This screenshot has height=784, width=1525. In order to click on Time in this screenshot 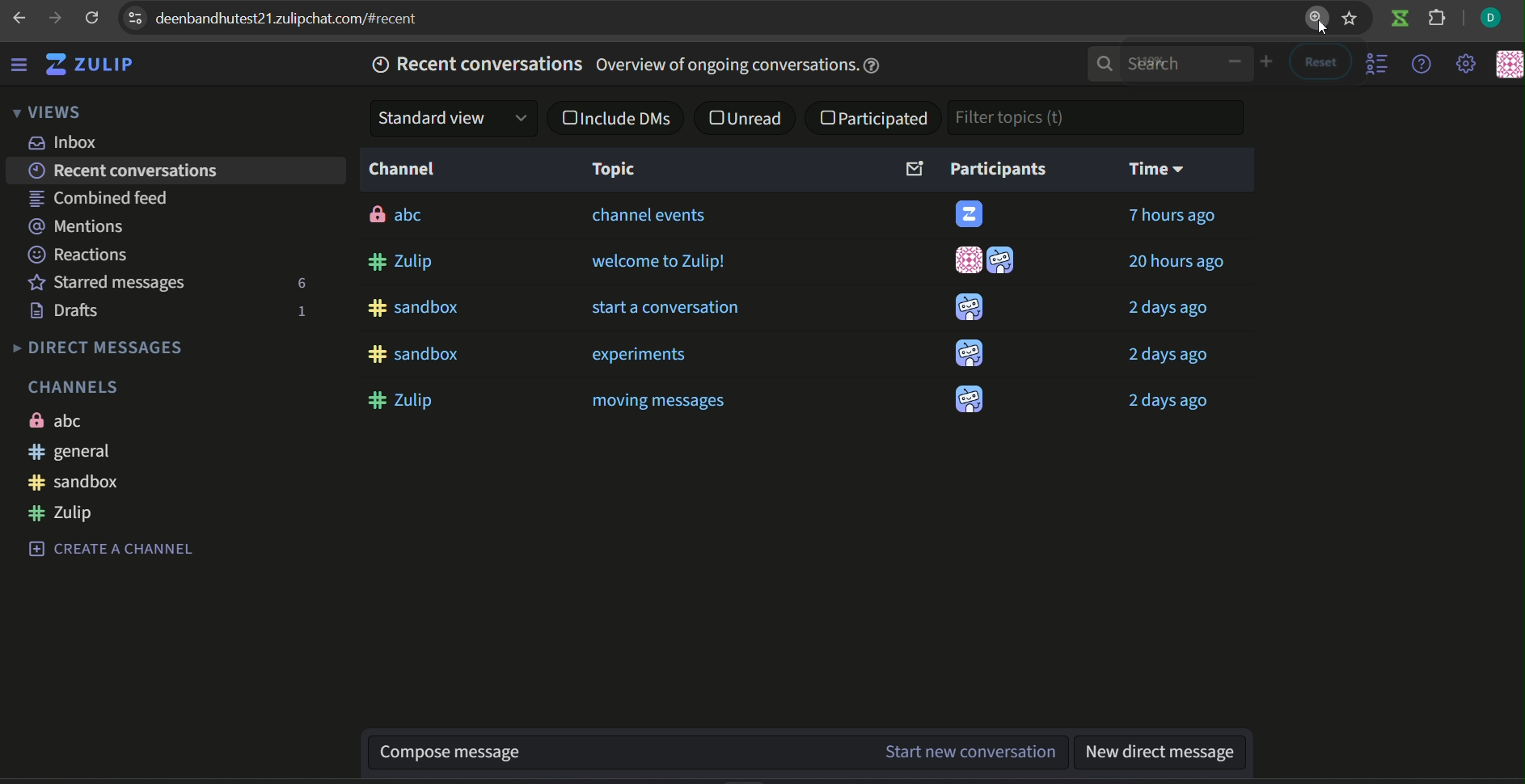, I will do `click(1154, 171)`.